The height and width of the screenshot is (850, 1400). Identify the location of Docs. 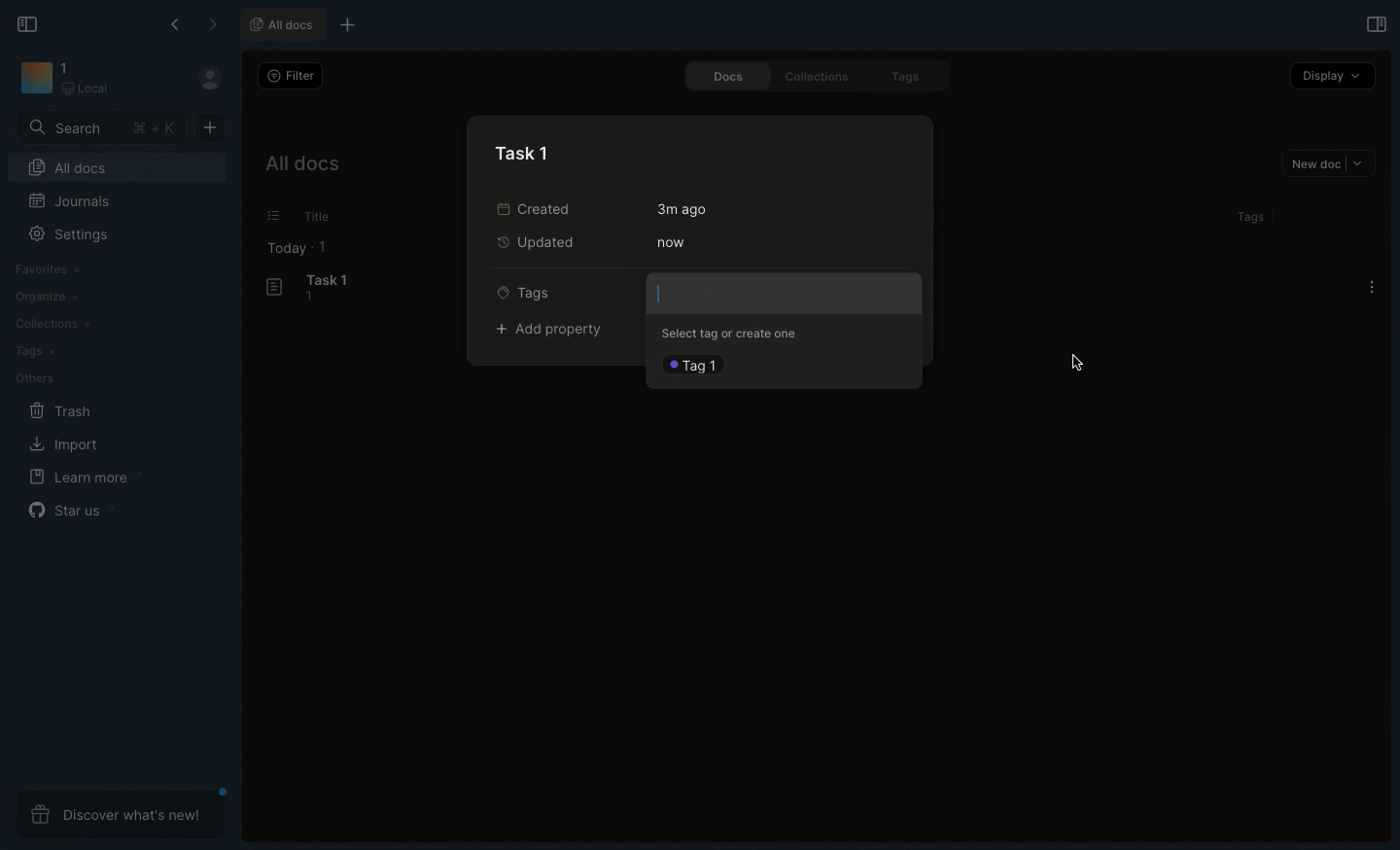
(727, 76).